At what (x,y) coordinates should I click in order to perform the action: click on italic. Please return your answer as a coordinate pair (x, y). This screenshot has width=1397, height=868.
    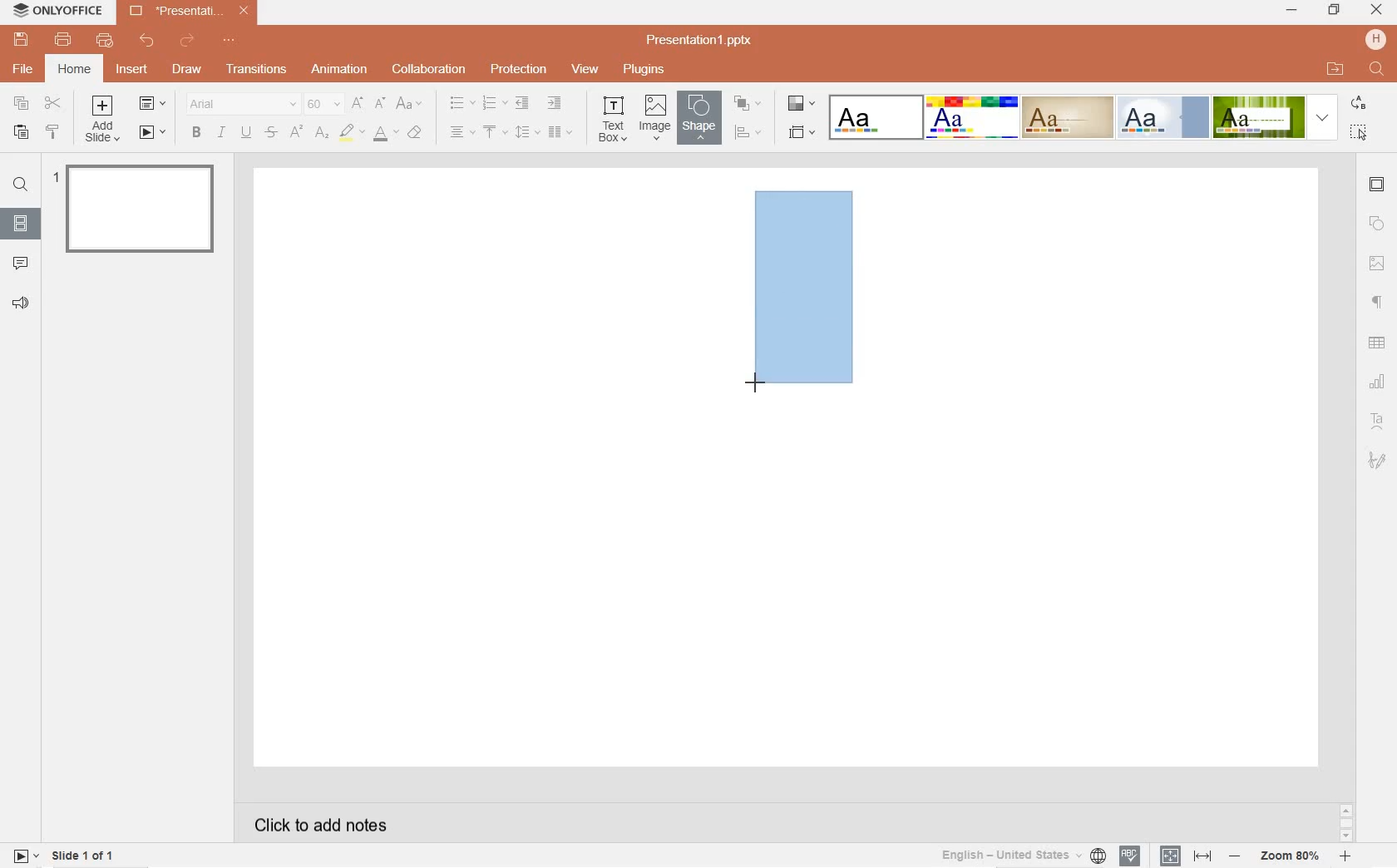
    Looking at the image, I should click on (221, 132).